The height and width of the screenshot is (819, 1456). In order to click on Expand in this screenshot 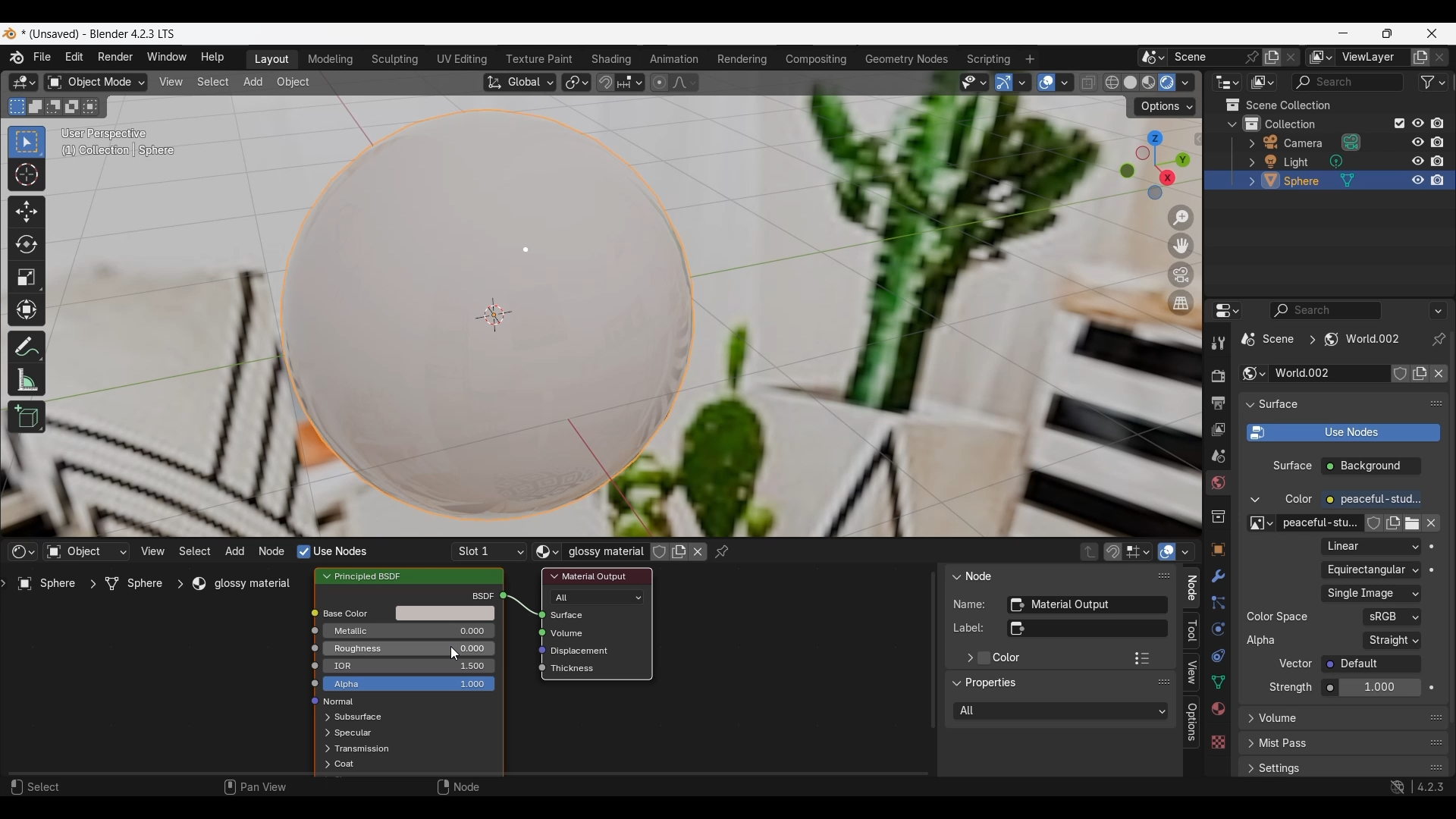, I will do `click(968, 657)`.